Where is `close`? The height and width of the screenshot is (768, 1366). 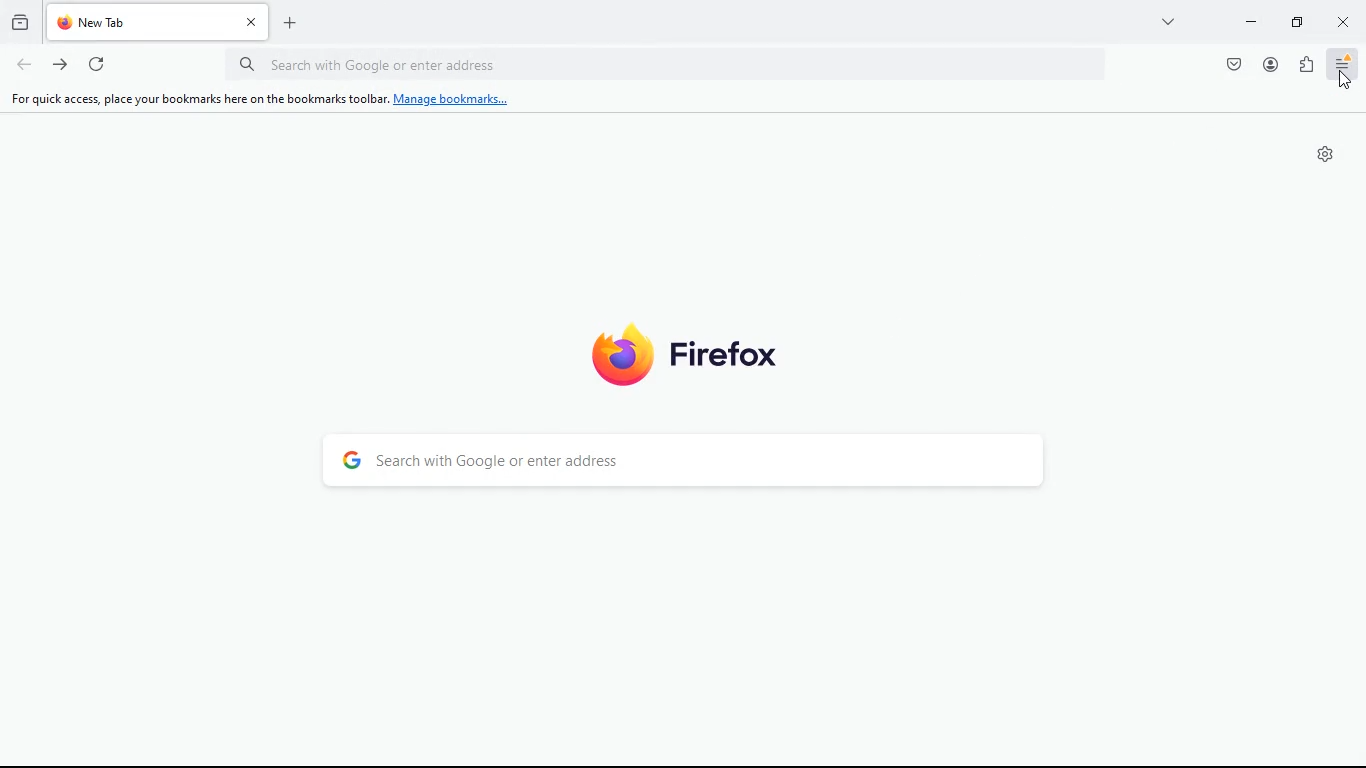 close is located at coordinates (1345, 25).